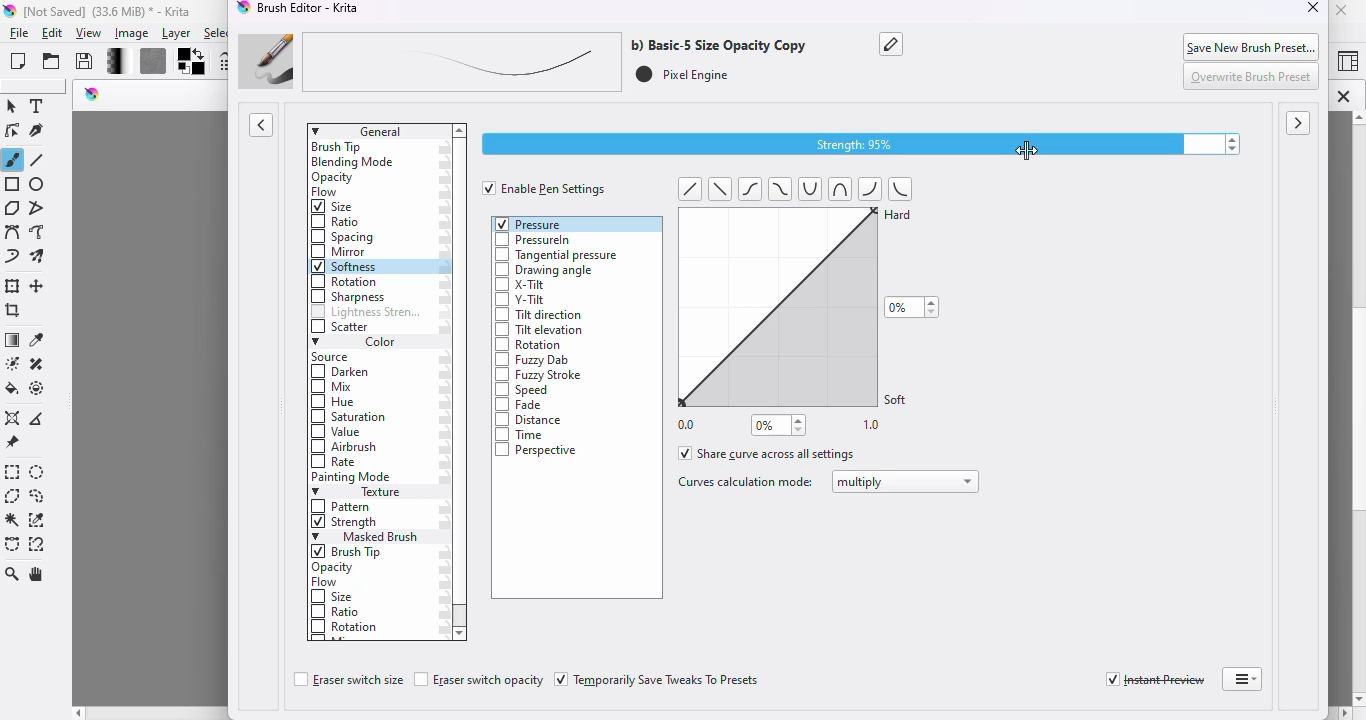 The image size is (1366, 720). What do you see at coordinates (898, 398) in the screenshot?
I see `Soft` at bounding box center [898, 398].